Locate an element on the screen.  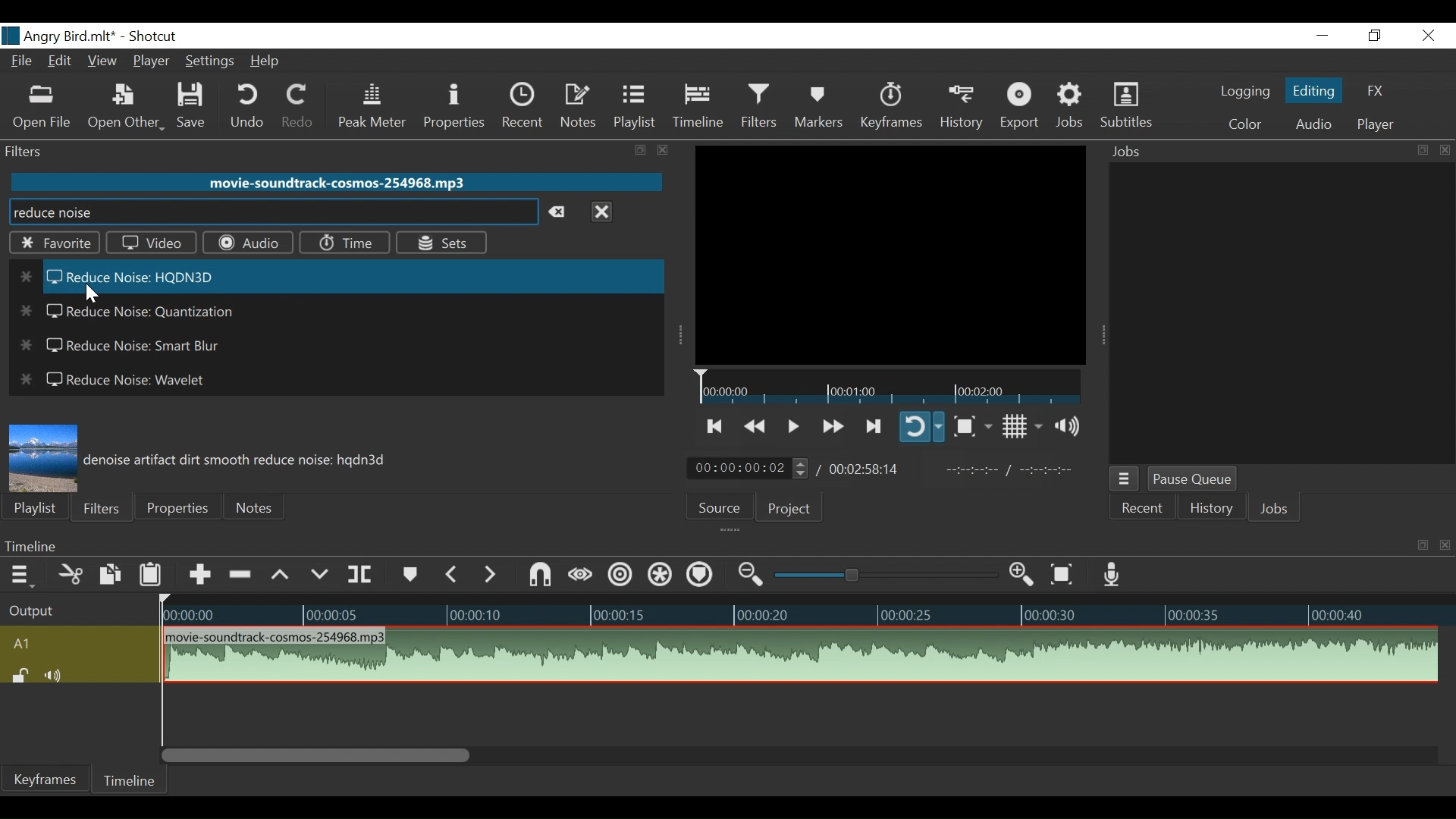
View is located at coordinates (102, 63).